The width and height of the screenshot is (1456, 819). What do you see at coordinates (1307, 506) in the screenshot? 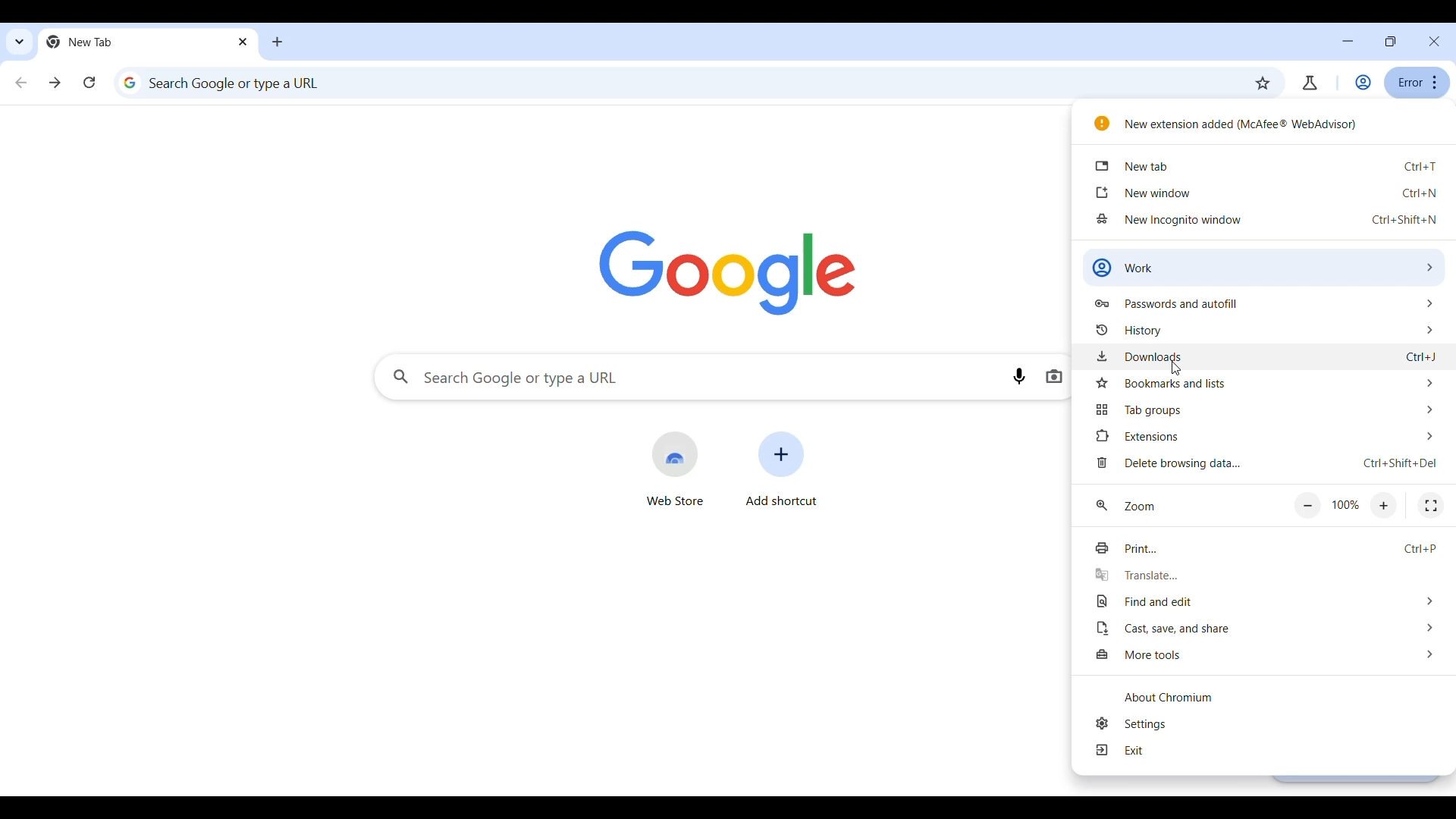
I see `Zoom out` at bounding box center [1307, 506].